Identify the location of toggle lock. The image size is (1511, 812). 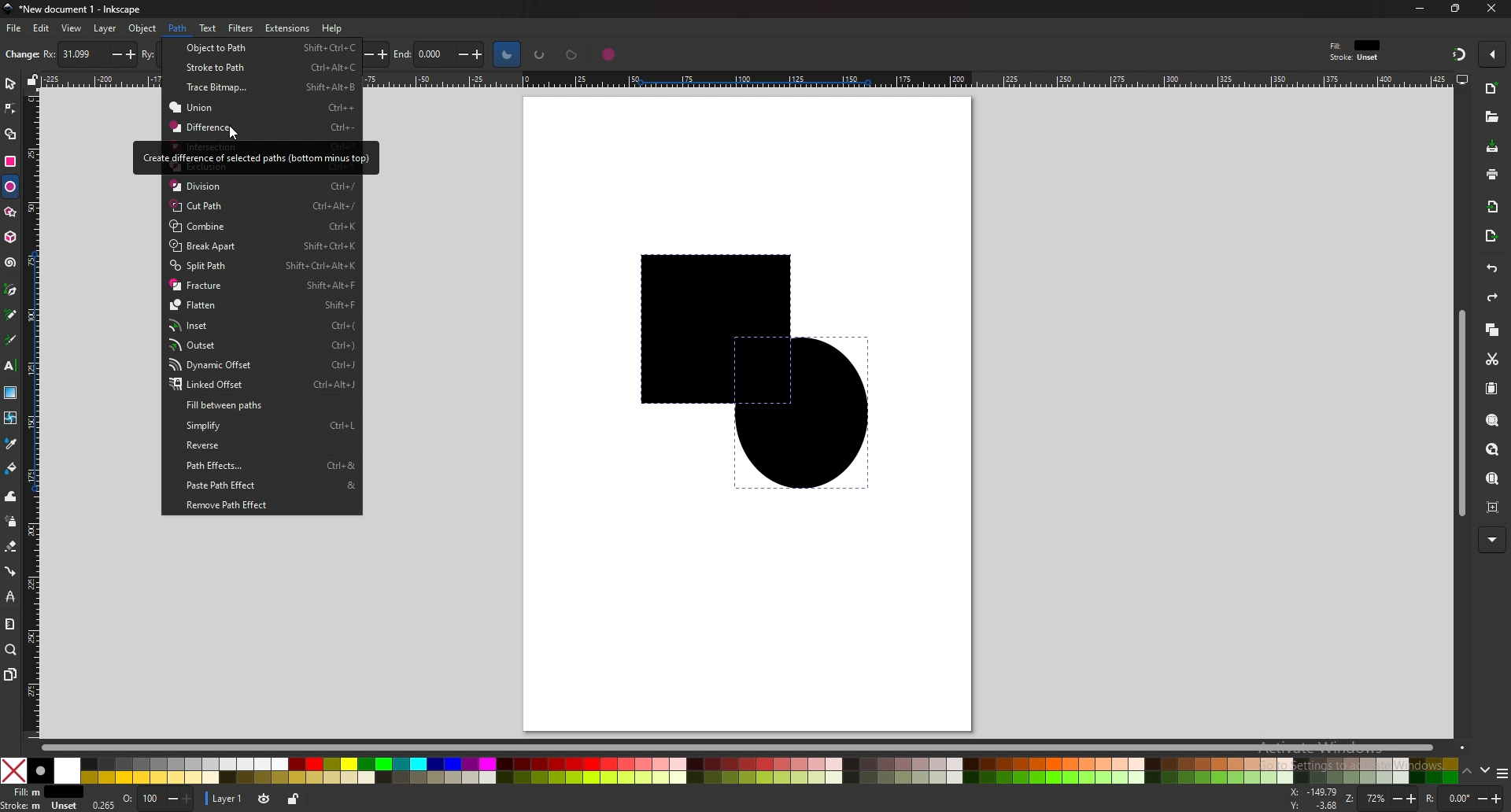
(291, 799).